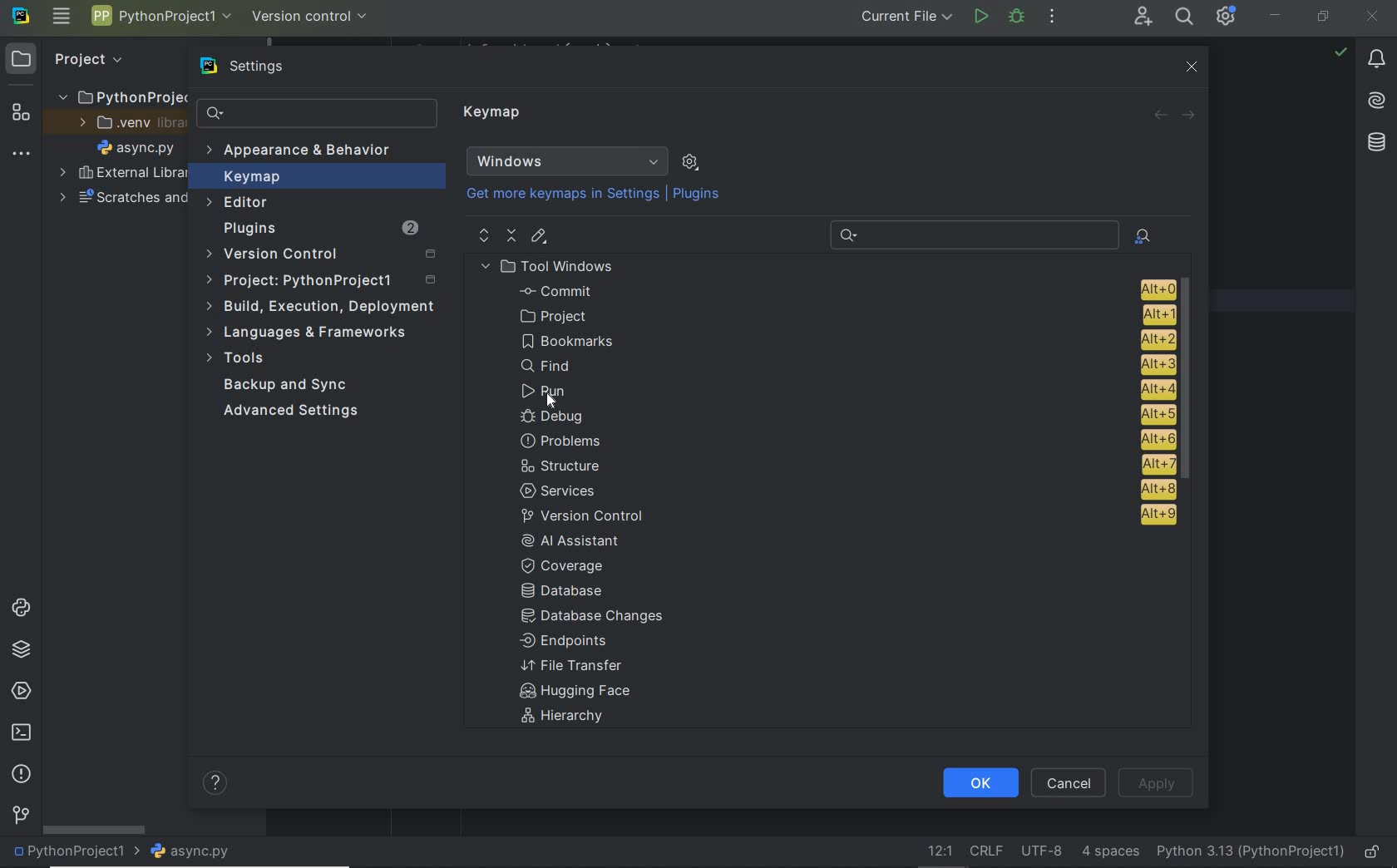 The width and height of the screenshot is (1397, 868). What do you see at coordinates (1375, 142) in the screenshot?
I see `database` at bounding box center [1375, 142].